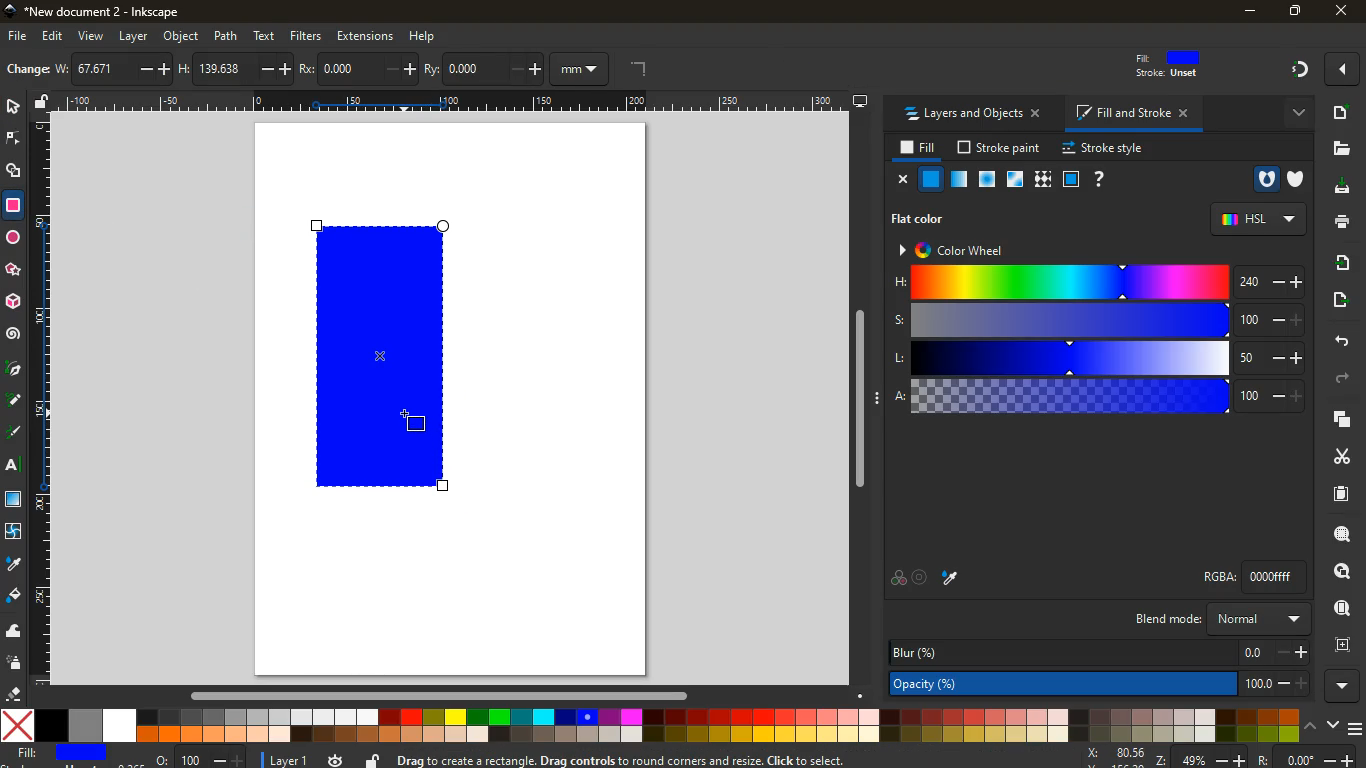  What do you see at coordinates (13, 693) in the screenshot?
I see `erase` at bounding box center [13, 693].